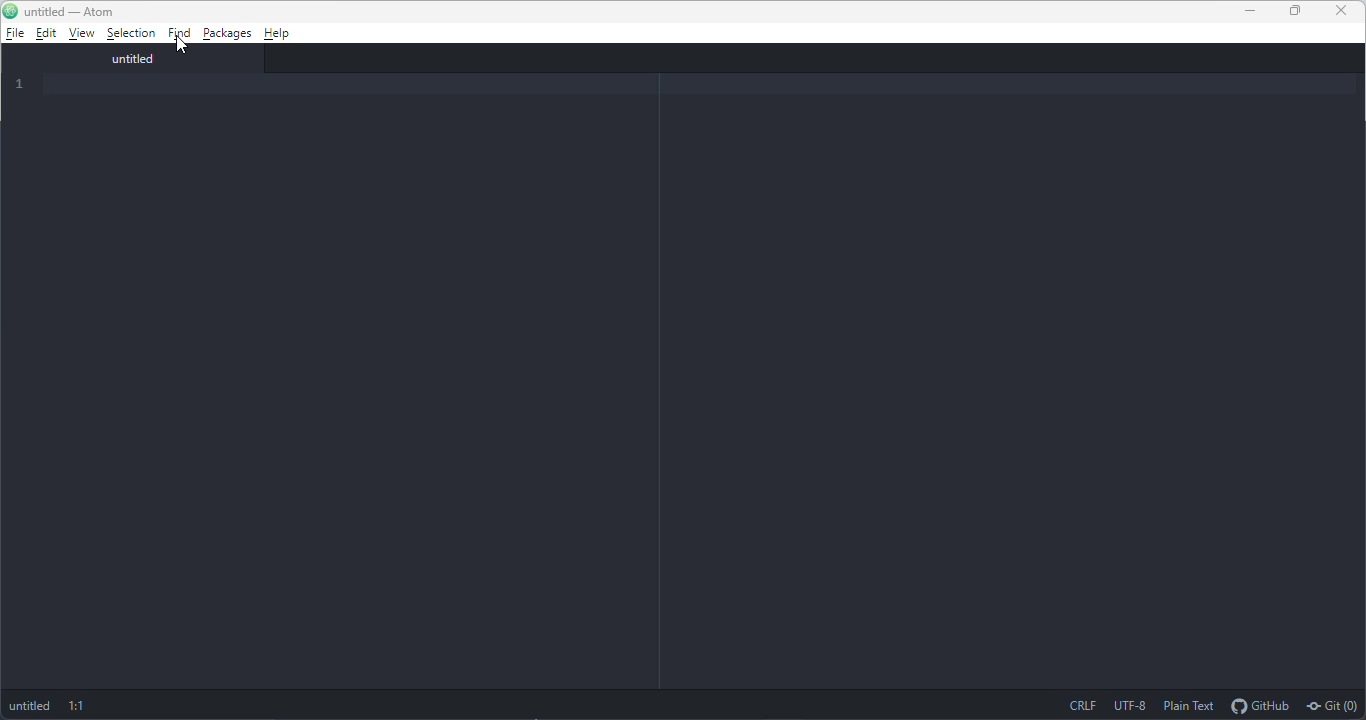 The width and height of the screenshot is (1366, 720). Describe the element at coordinates (79, 34) in the screenshot. I see `view` at that location.